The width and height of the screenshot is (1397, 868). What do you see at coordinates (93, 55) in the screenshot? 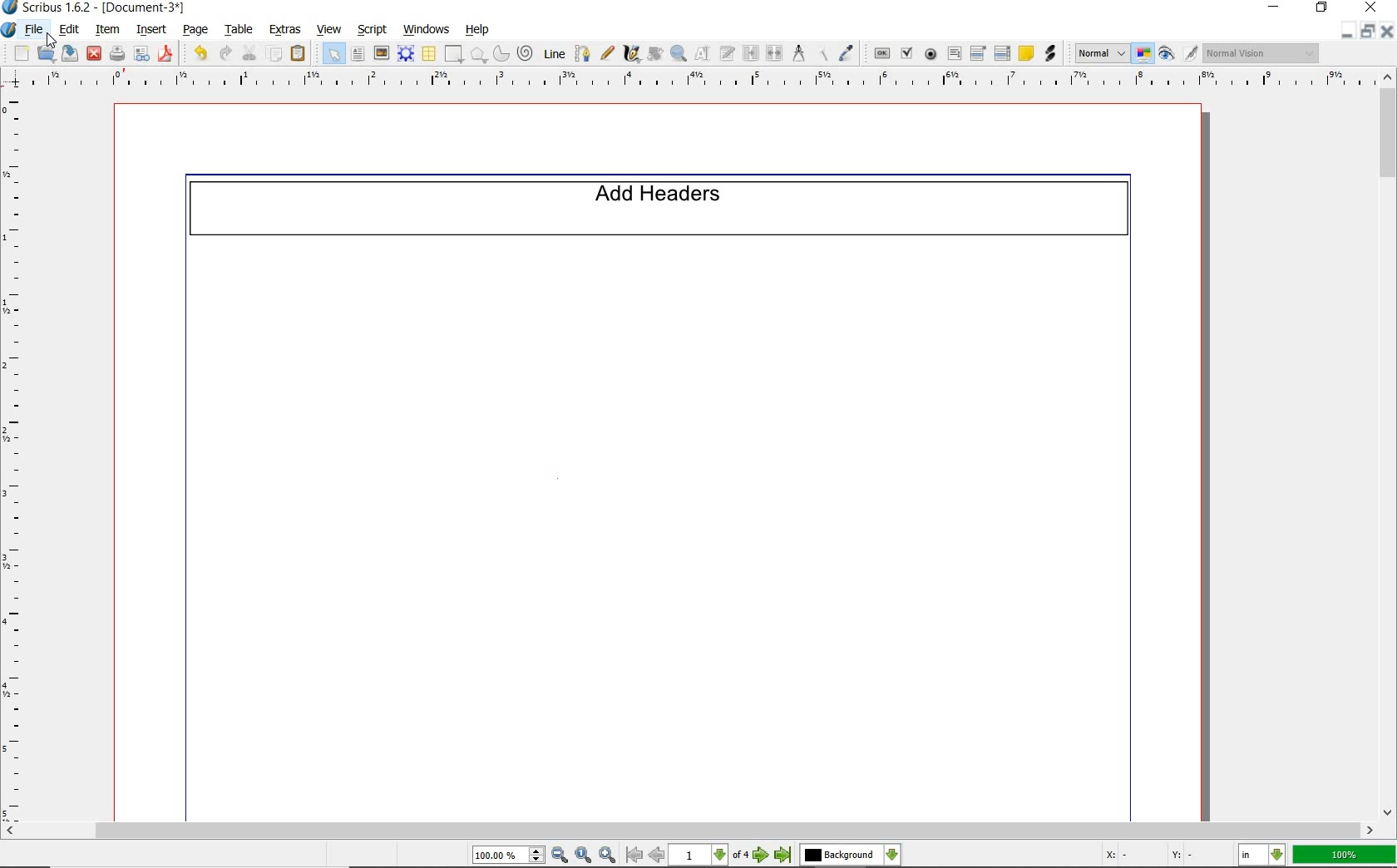
I see `close` at bounding box center [93, 55].